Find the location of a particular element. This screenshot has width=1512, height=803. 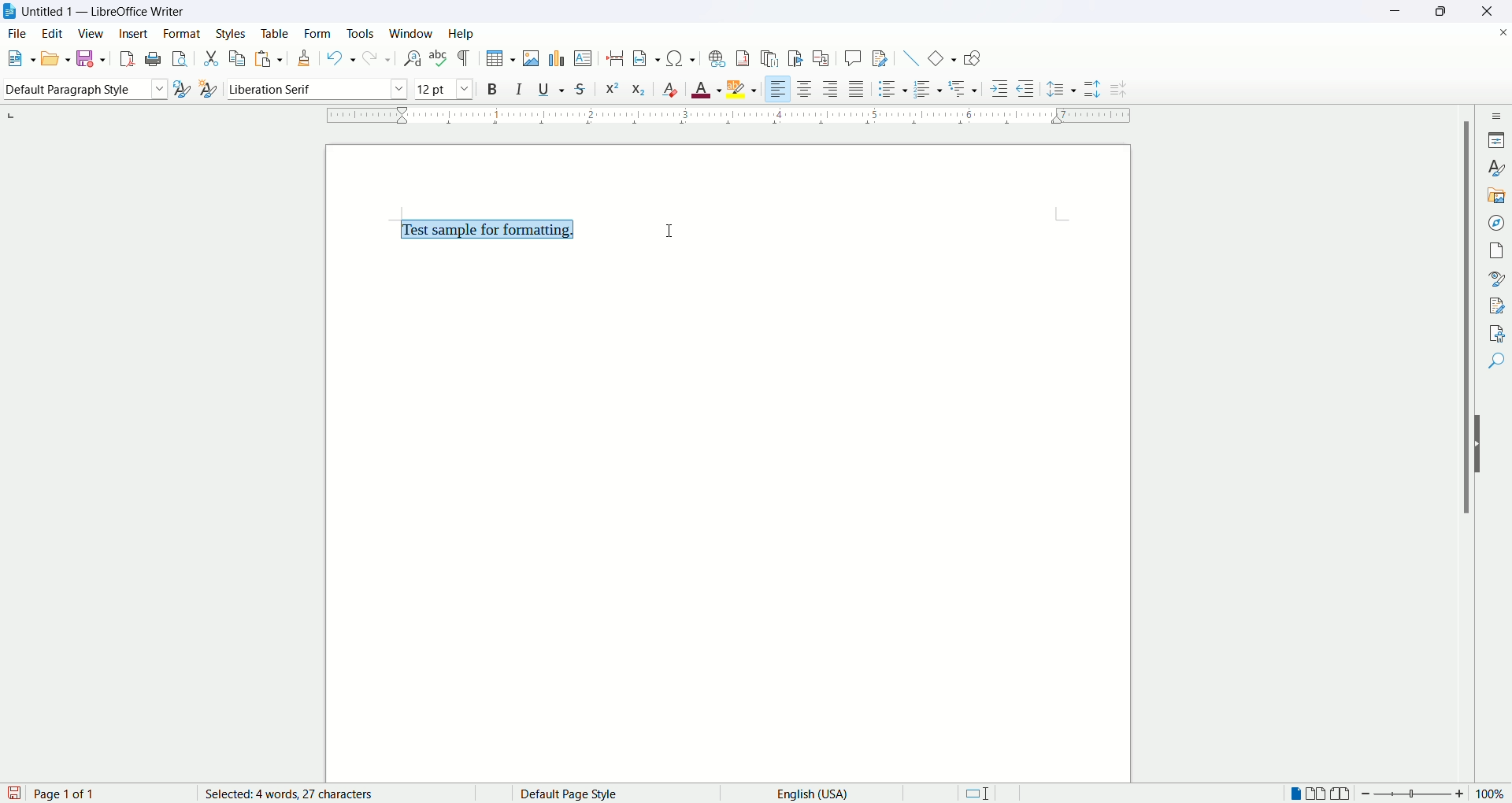

cursor is located at coordinates (668, 231).